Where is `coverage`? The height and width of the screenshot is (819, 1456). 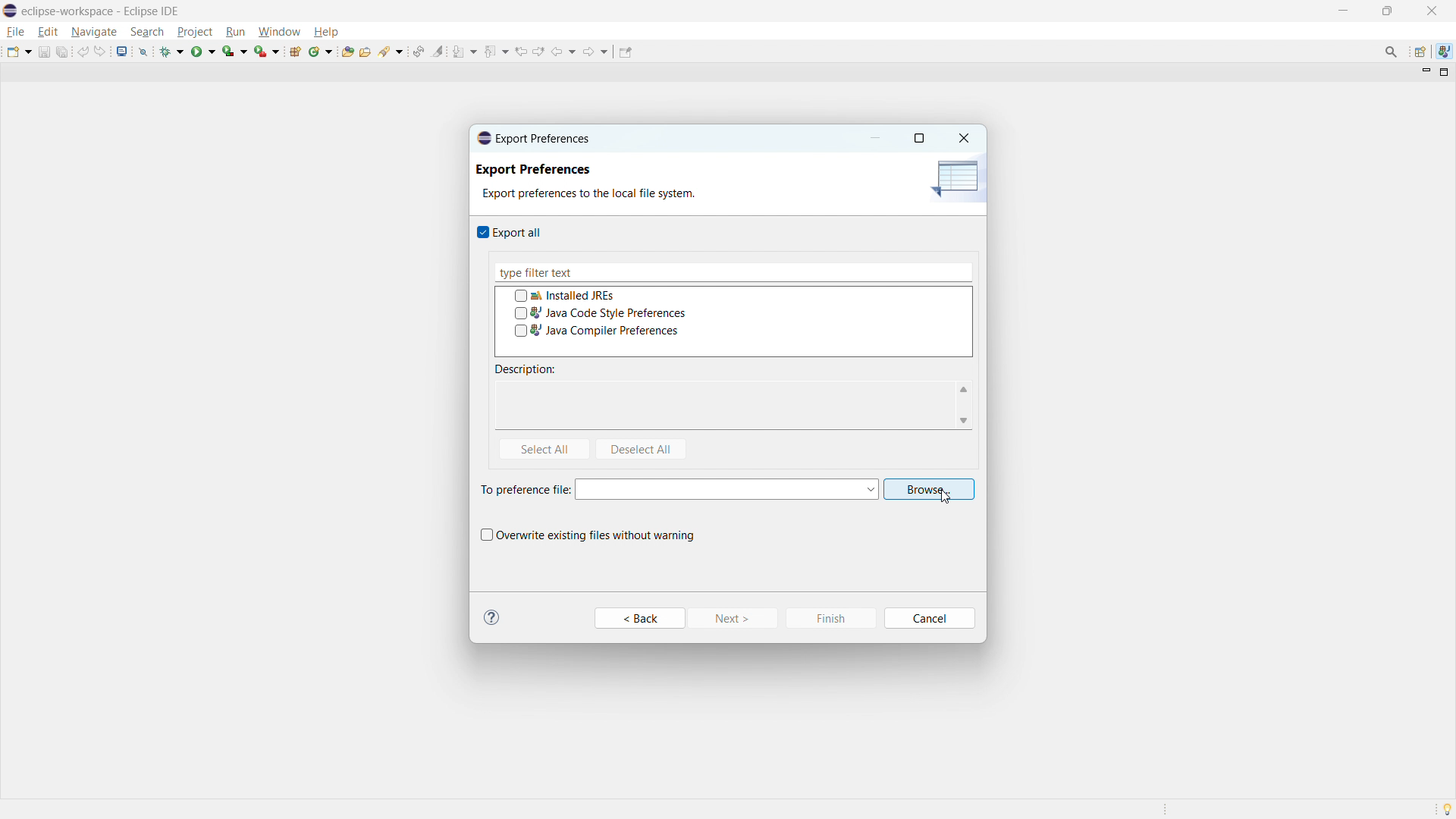
coverage is located at coordinates (234, 51).